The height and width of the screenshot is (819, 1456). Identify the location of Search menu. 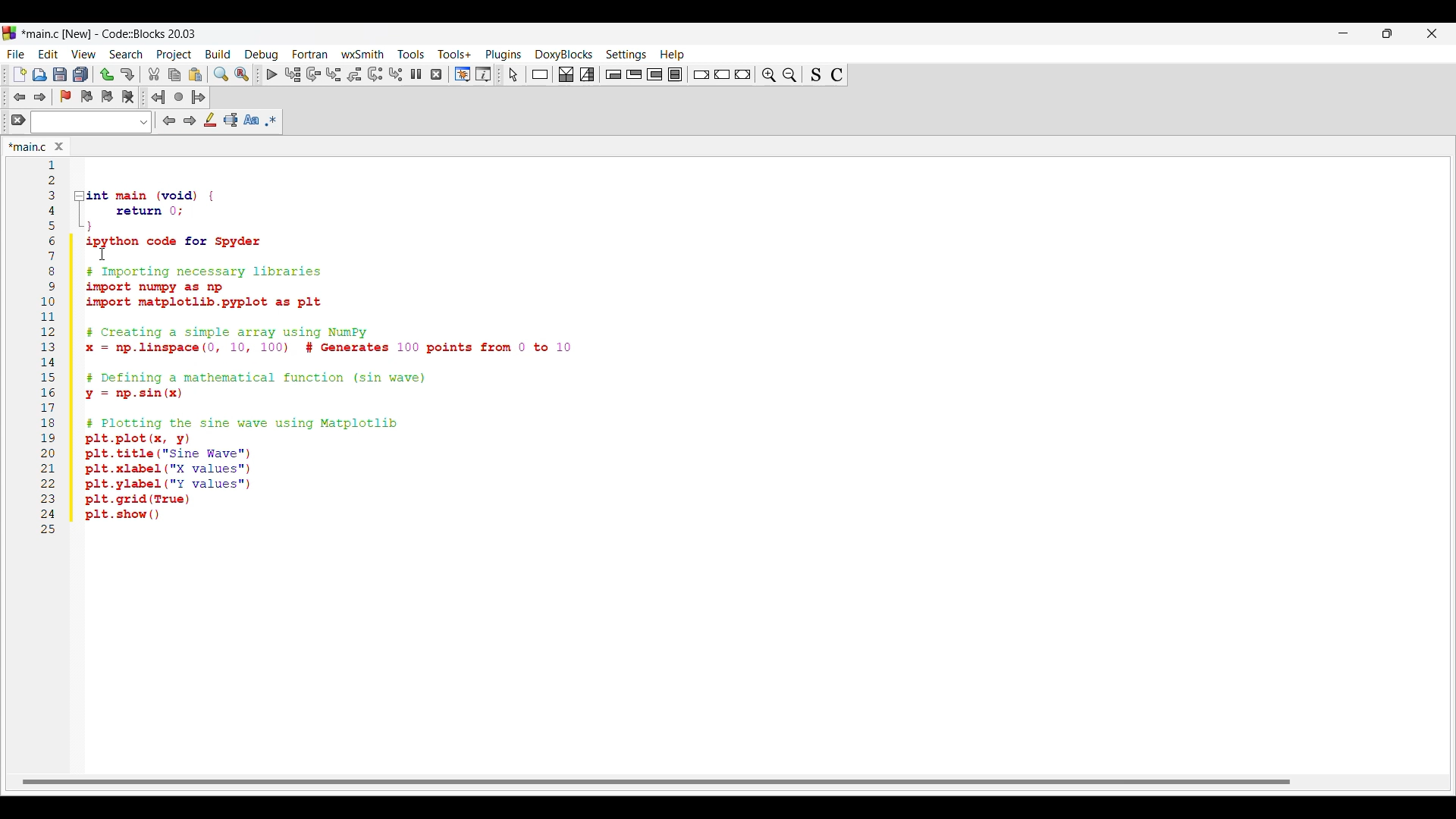
(127, 55).